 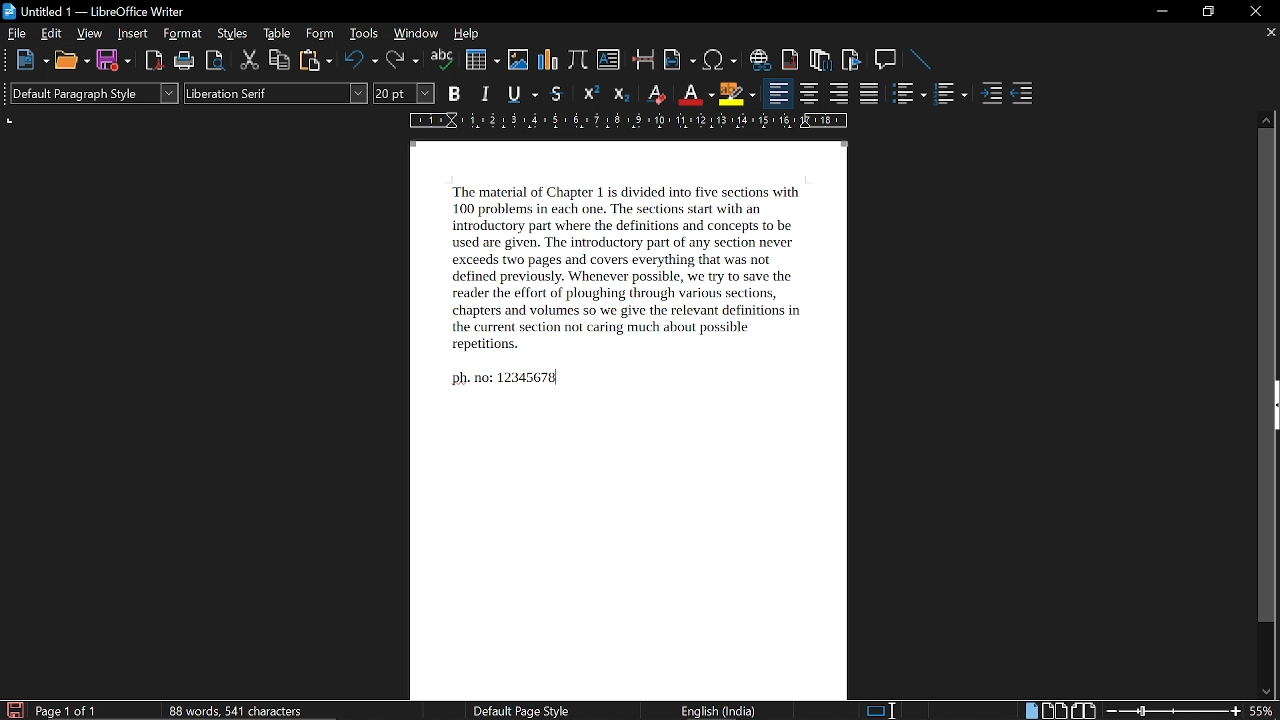 I want to click on save, so click(x=14, y=710).